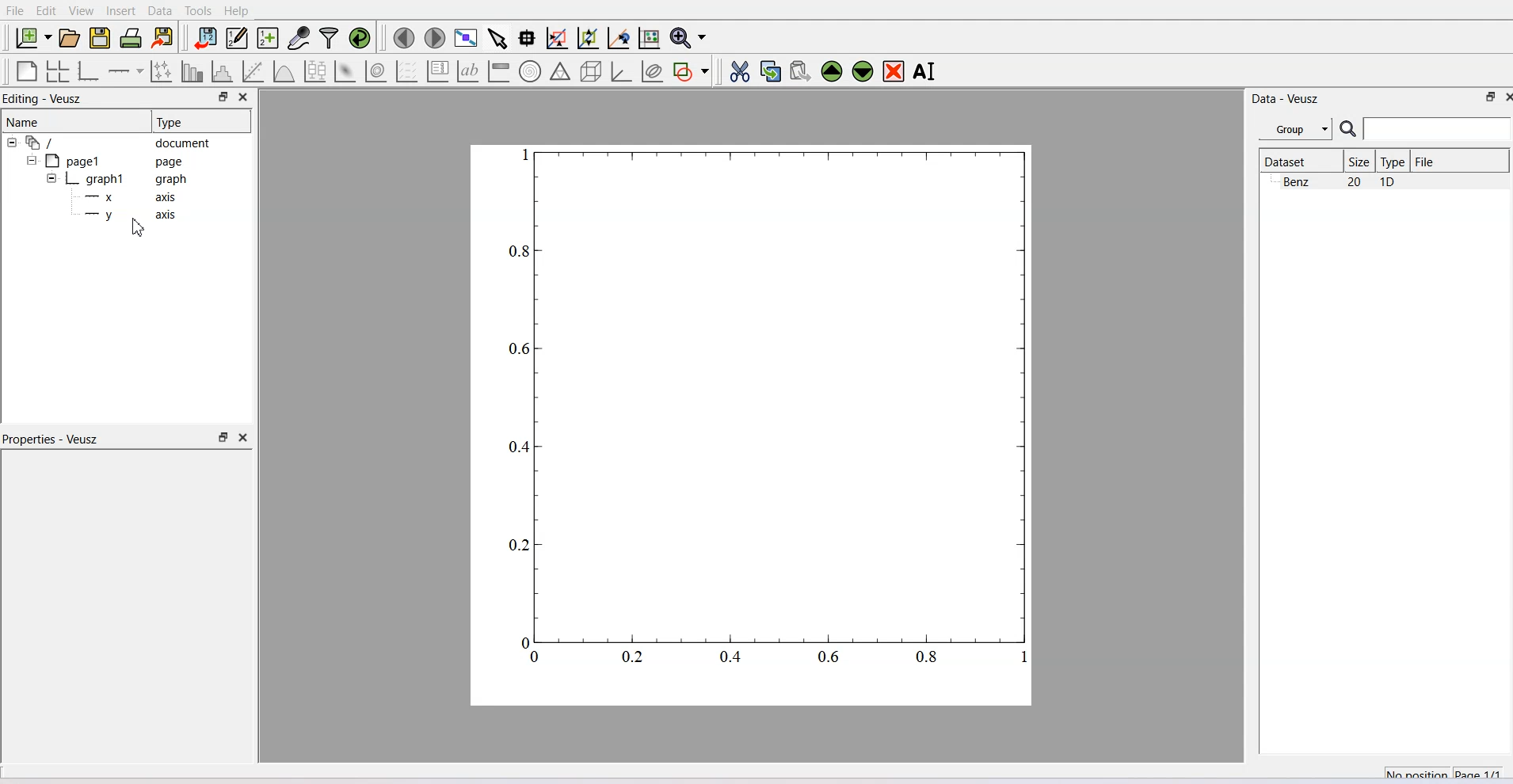 The height and width of the screenshot is (784, 1513). Describe the element at coordinates (236, 11) in the screenshot. I see `Help` at that location.